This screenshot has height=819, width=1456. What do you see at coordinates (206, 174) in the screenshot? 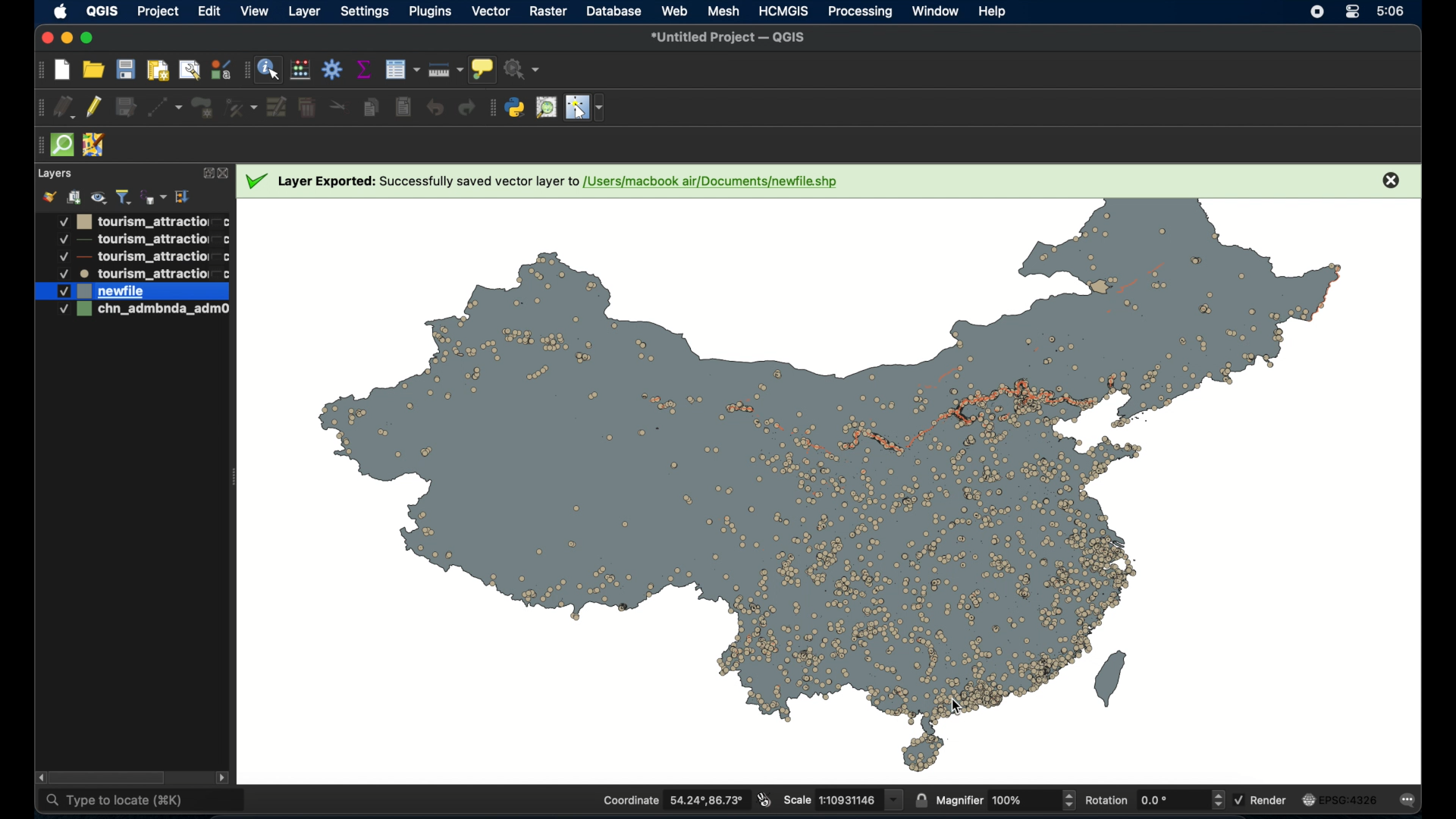
I see `expand` at bounding box center [206, 174].